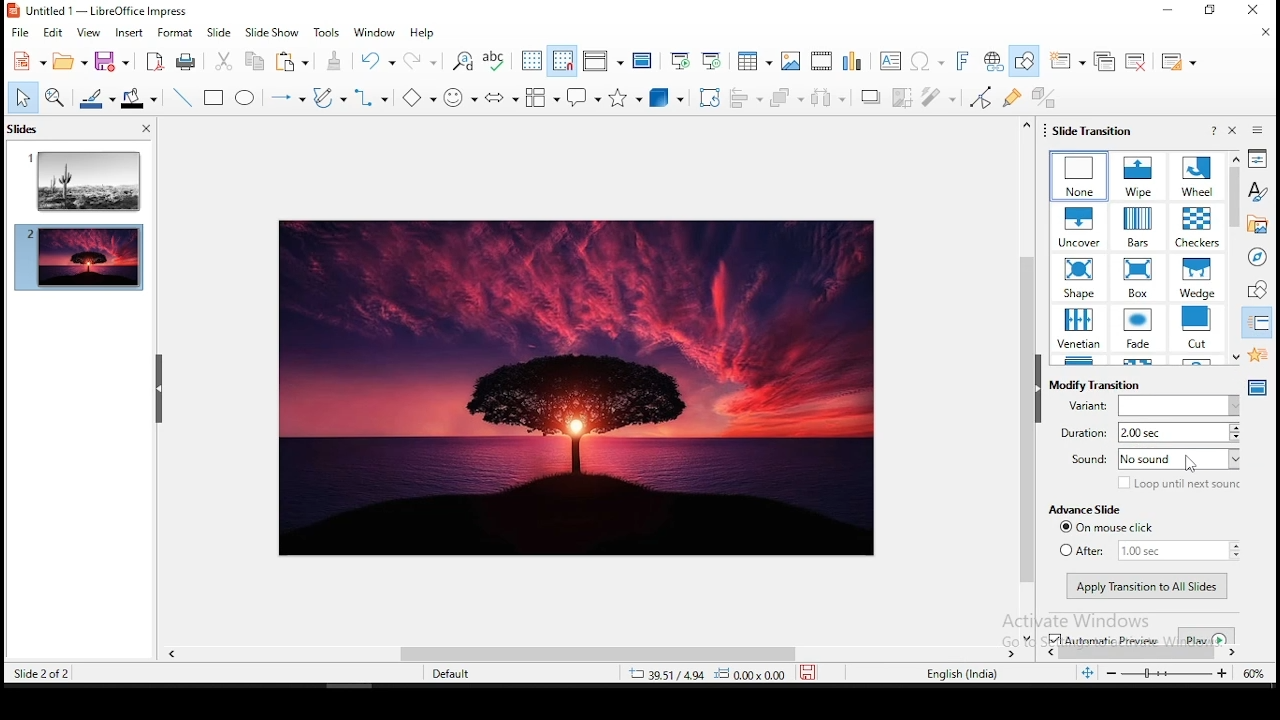 This screenshot has height=720, width=1280. I want to click on view, so click(88, 33).